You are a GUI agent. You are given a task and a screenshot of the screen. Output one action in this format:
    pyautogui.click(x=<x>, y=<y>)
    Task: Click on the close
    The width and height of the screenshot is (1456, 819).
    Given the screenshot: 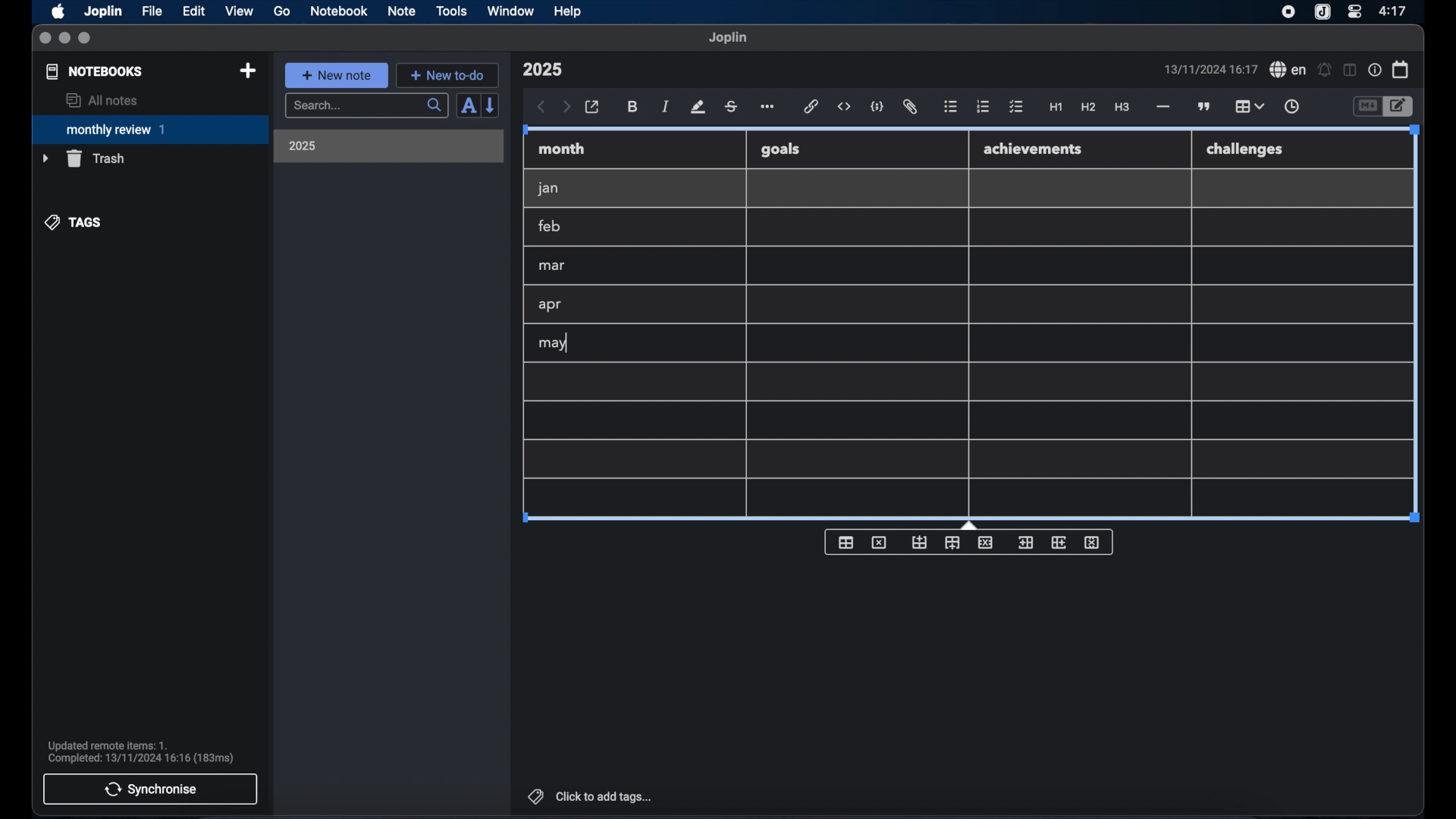 What is the action you would take?
    pyautogui.click(x=45, y=39)
    